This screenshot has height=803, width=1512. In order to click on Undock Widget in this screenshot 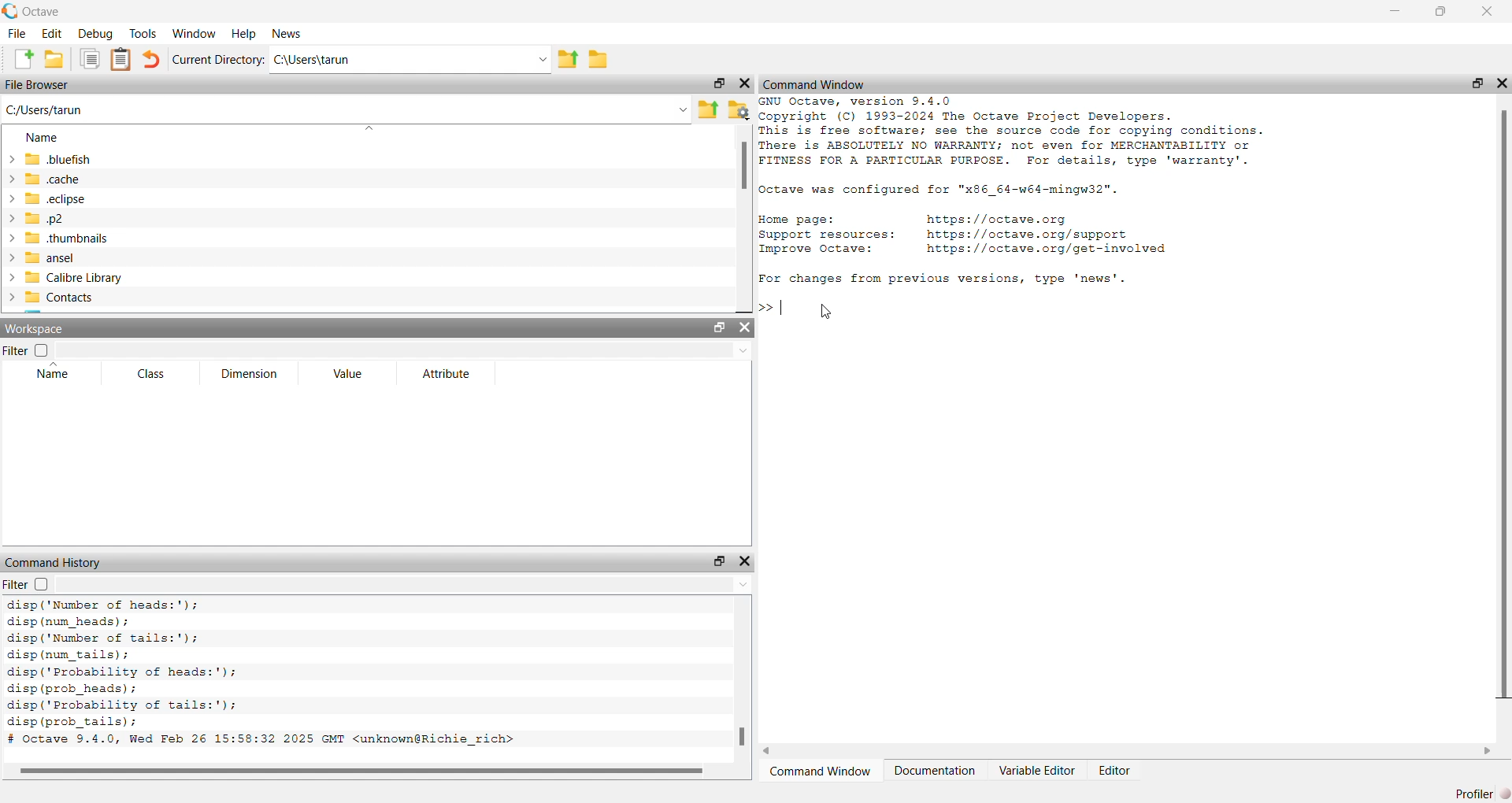, I will do `click(717, 83)`.